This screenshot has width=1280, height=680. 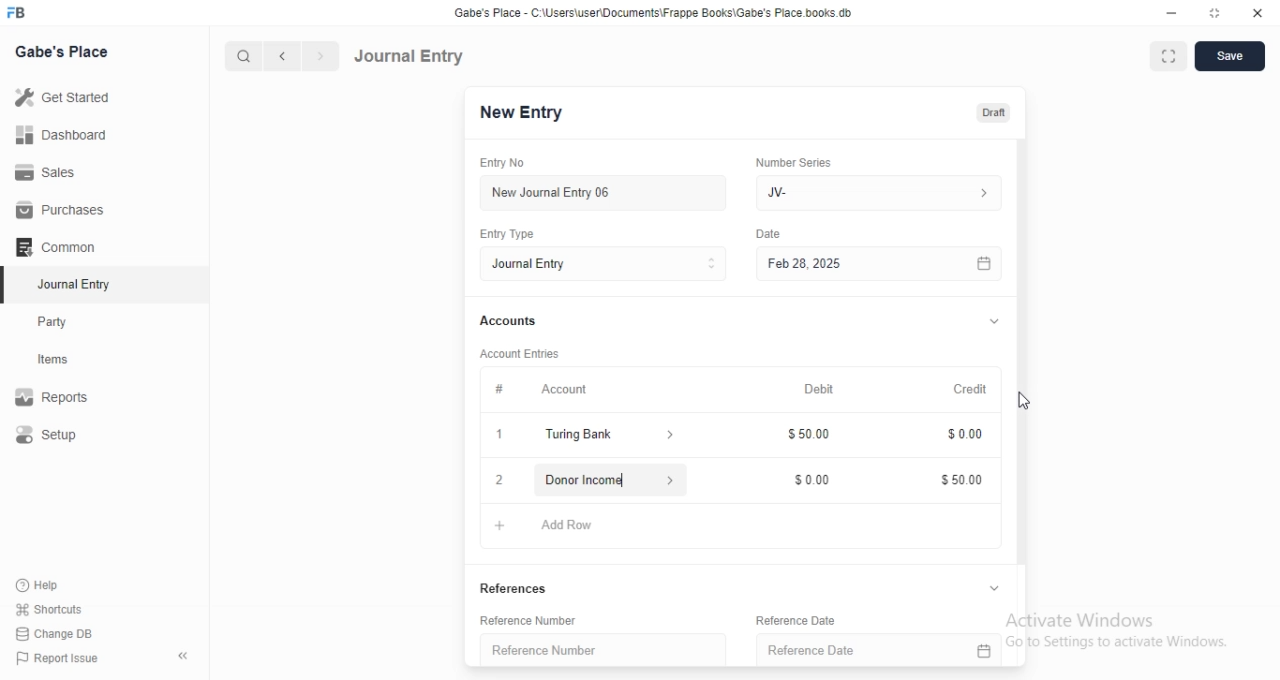 What do you see at coordinates (540, 621) in the screenshot?
I see `Reference Number` at bounding box center [540, 621].